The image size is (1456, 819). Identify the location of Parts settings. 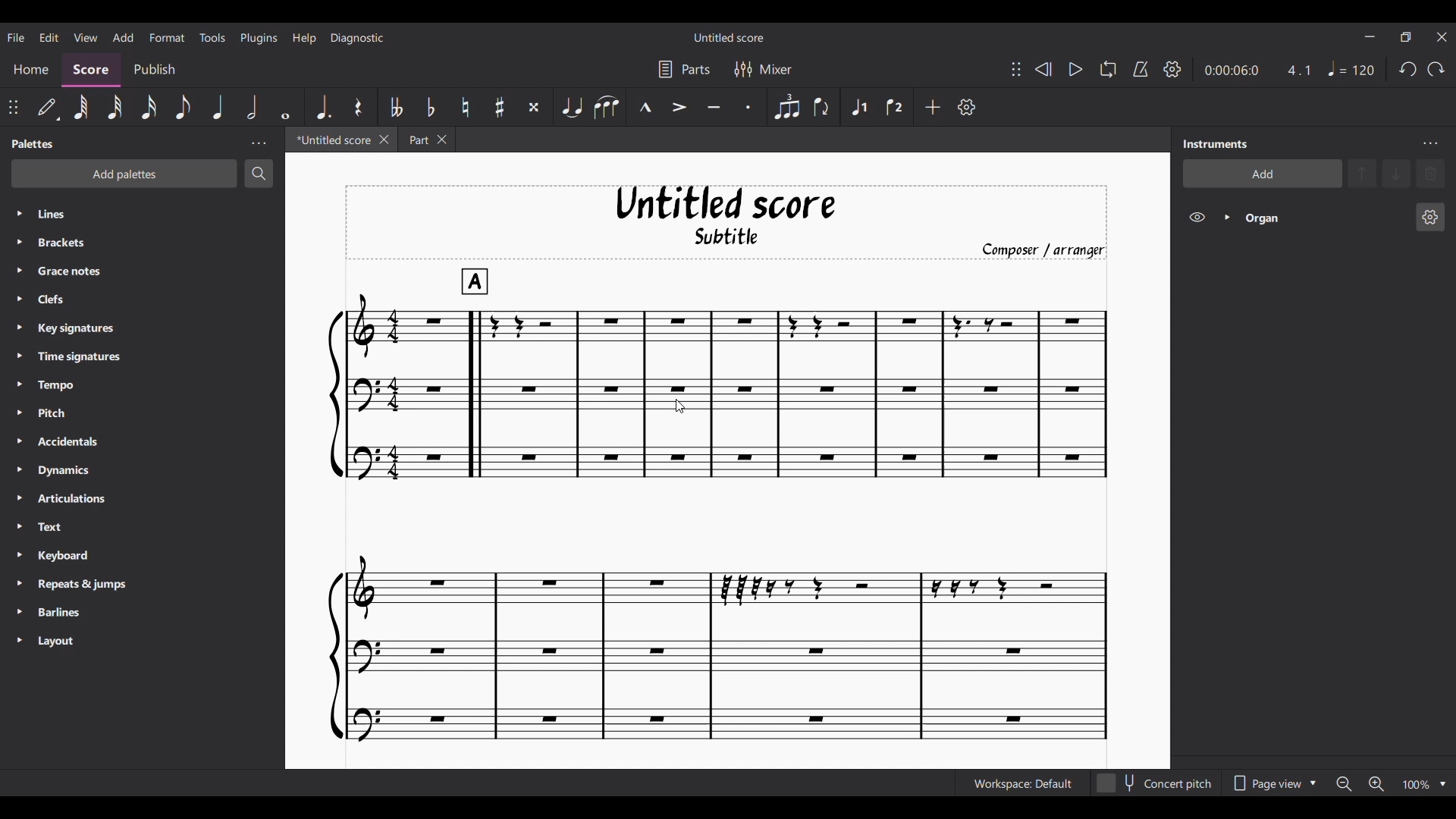
(684, 68).